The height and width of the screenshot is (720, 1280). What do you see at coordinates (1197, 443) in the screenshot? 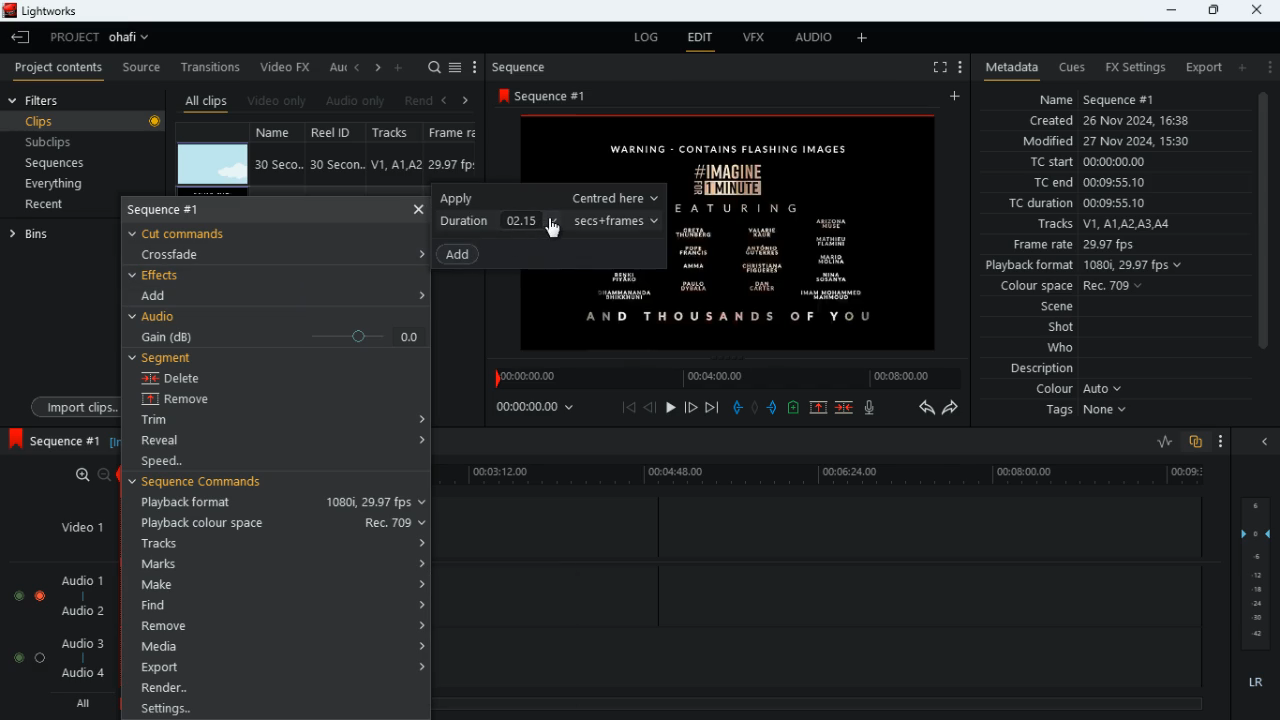
I see `overlap` at bounding box center [1197, 443].